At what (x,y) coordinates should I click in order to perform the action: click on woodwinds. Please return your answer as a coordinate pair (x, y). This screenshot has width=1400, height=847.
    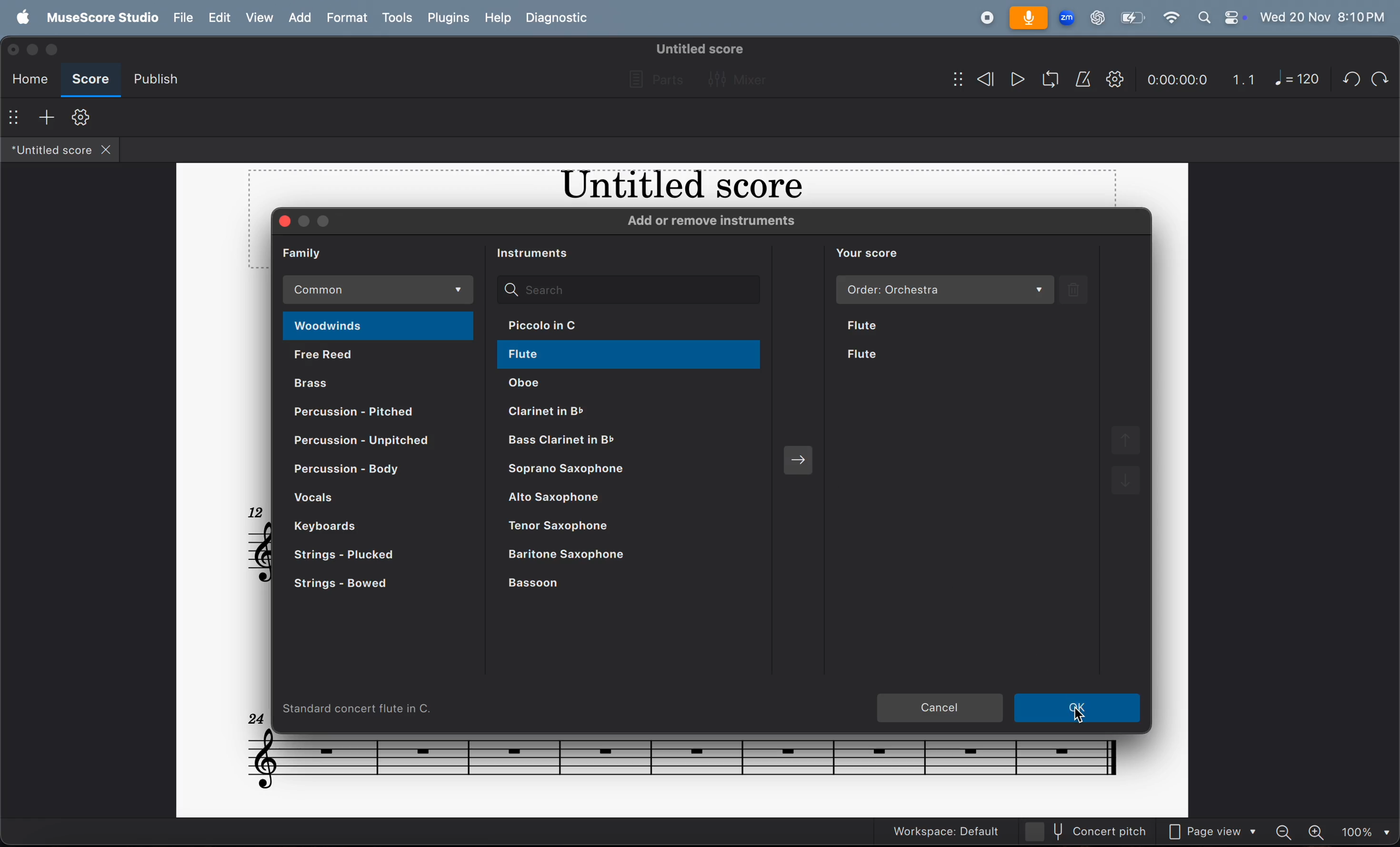
    Looking at the image, I should click on (380, 325).